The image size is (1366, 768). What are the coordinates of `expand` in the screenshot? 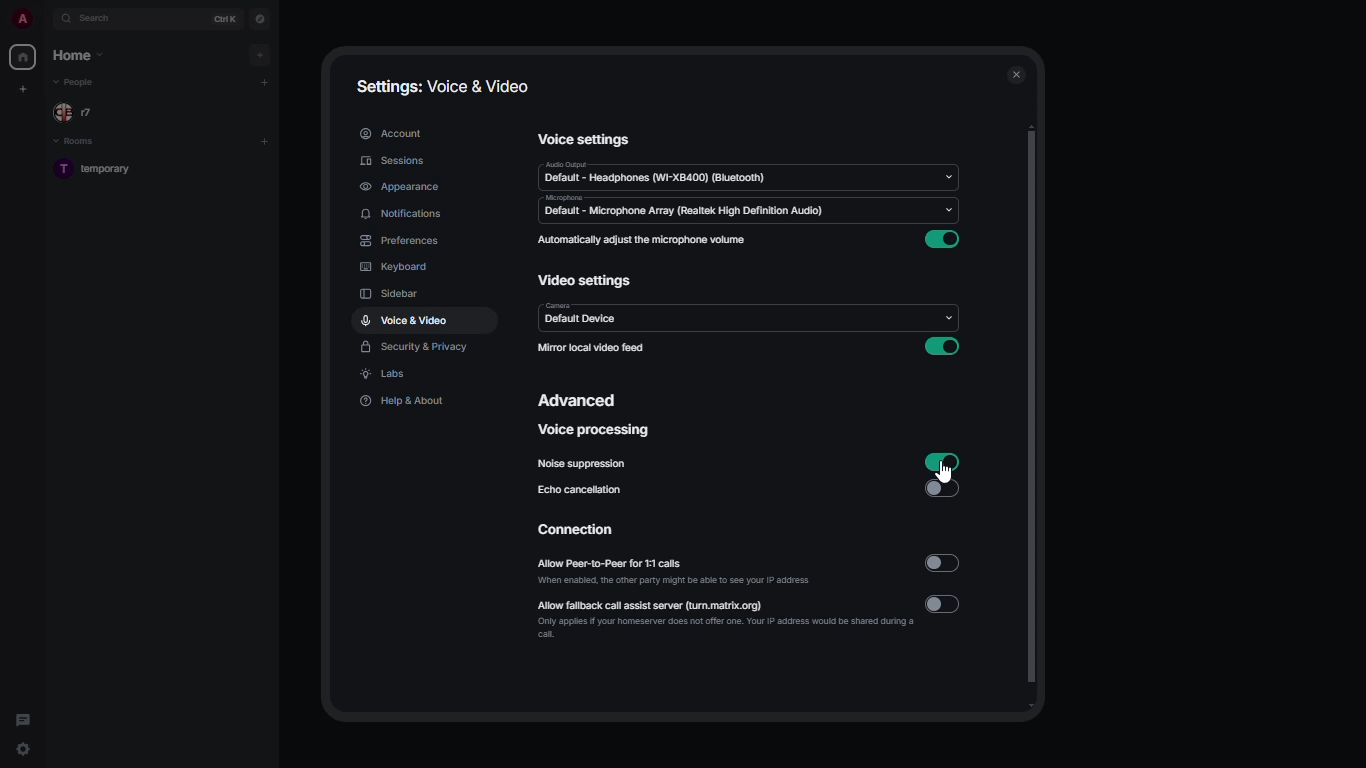 It's located at (45, 20).